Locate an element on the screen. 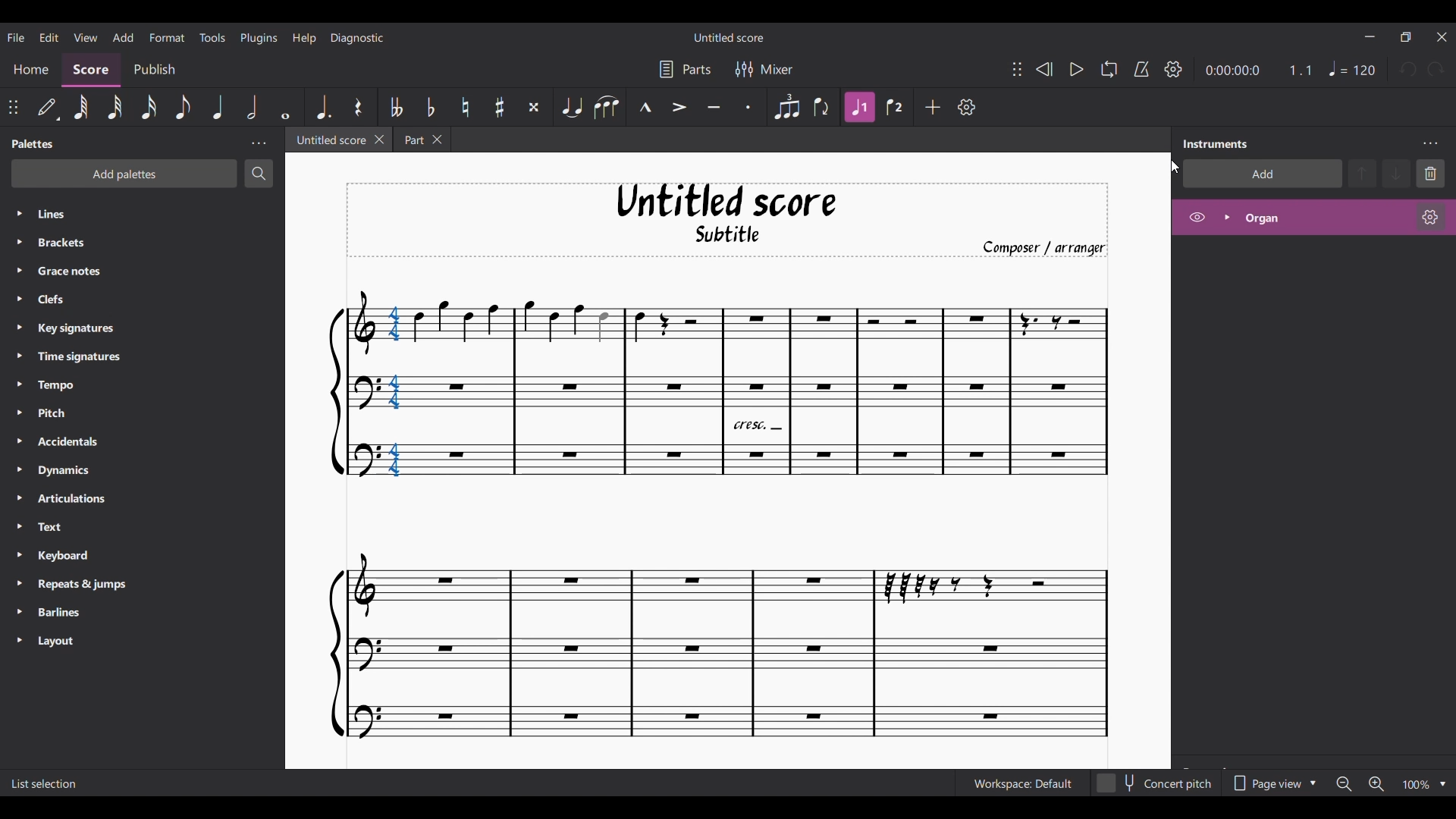  Help menu is located at coordinates (304, 39).